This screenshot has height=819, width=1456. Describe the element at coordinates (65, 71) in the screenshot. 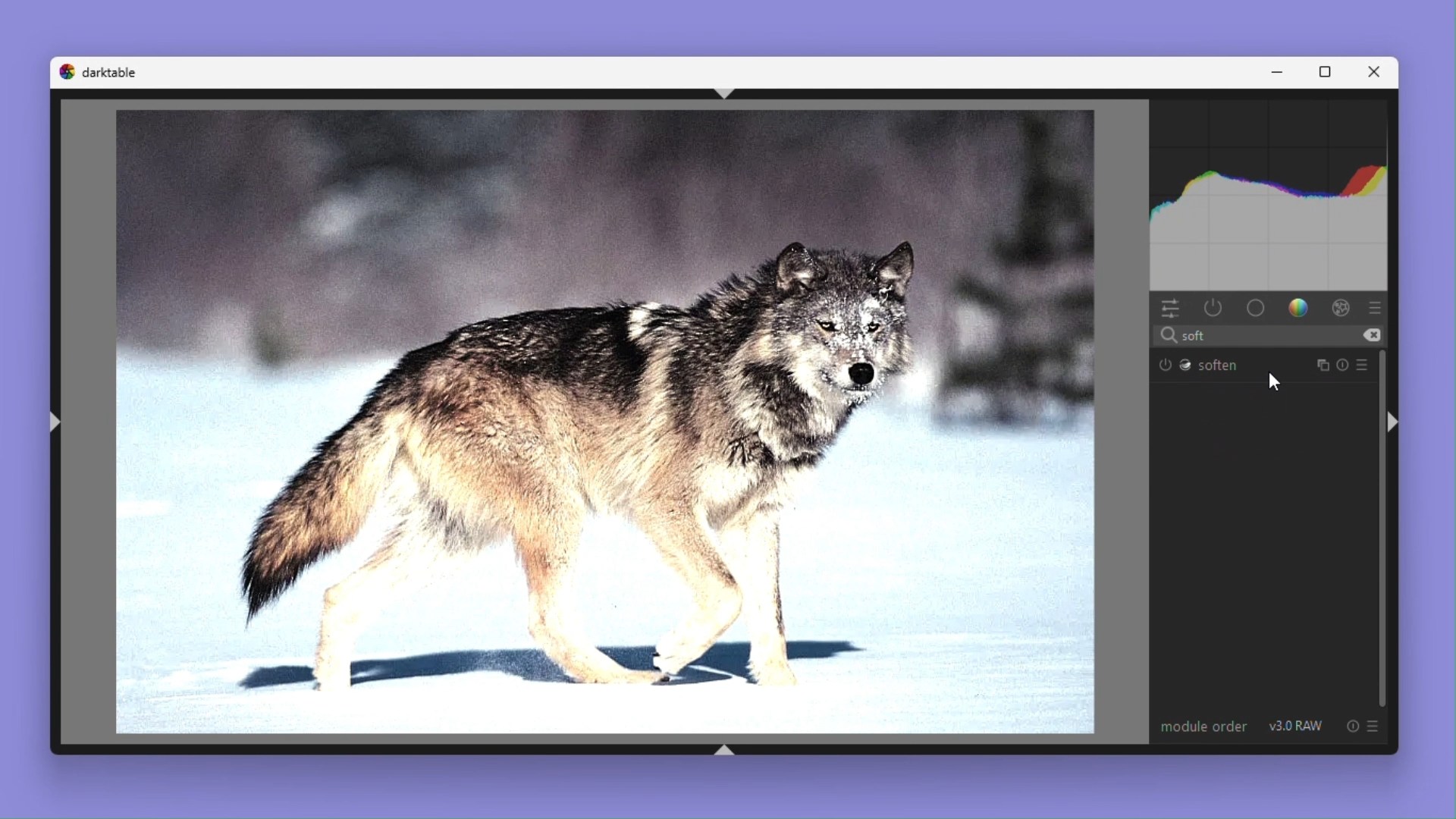

I see `logo` at that location.